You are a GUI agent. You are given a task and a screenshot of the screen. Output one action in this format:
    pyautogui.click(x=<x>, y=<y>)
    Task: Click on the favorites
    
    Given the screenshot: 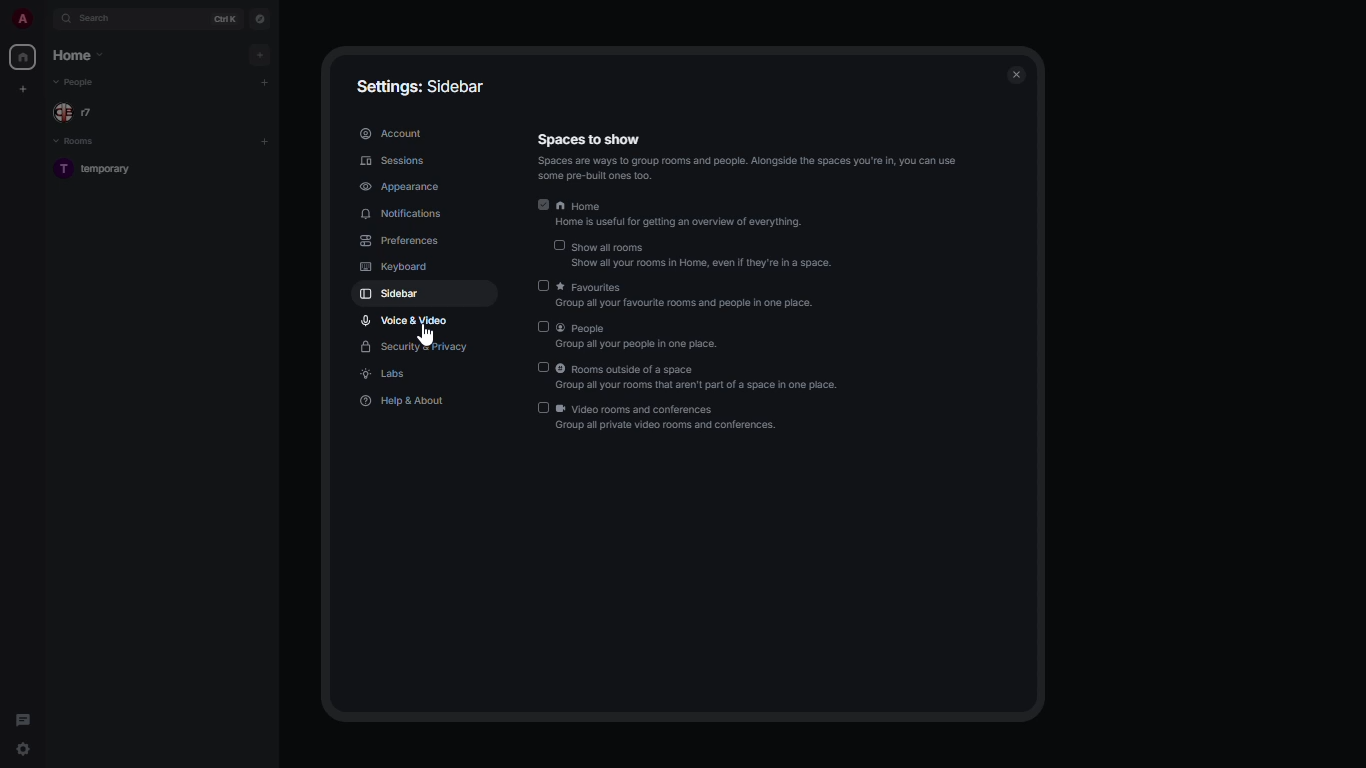 What is the action you would take?
    pyautogui.click(x=686, y=294)
    